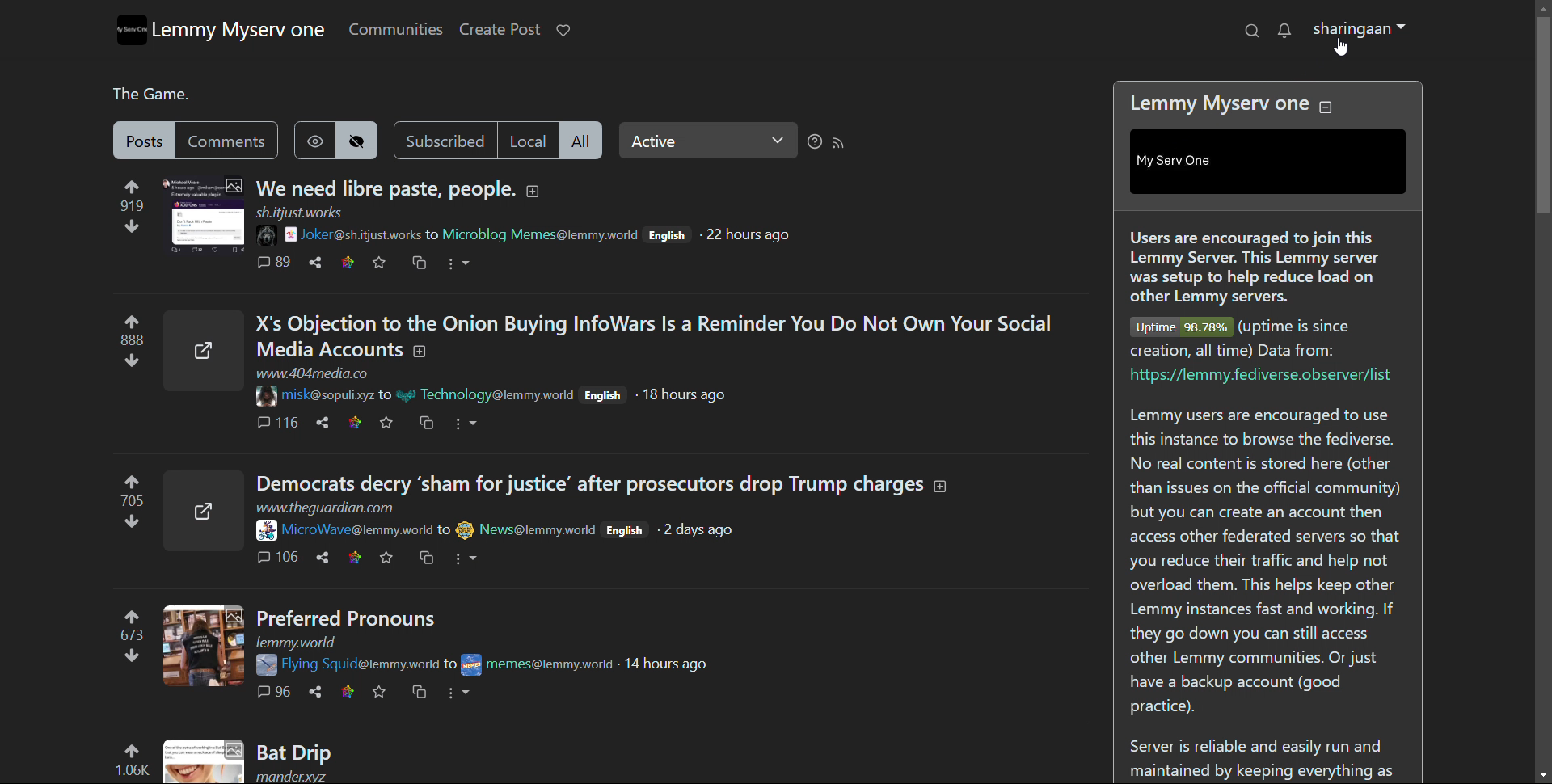 This screenshot has height=784, width=1552. I want to click on poster username, so click(496, 396).